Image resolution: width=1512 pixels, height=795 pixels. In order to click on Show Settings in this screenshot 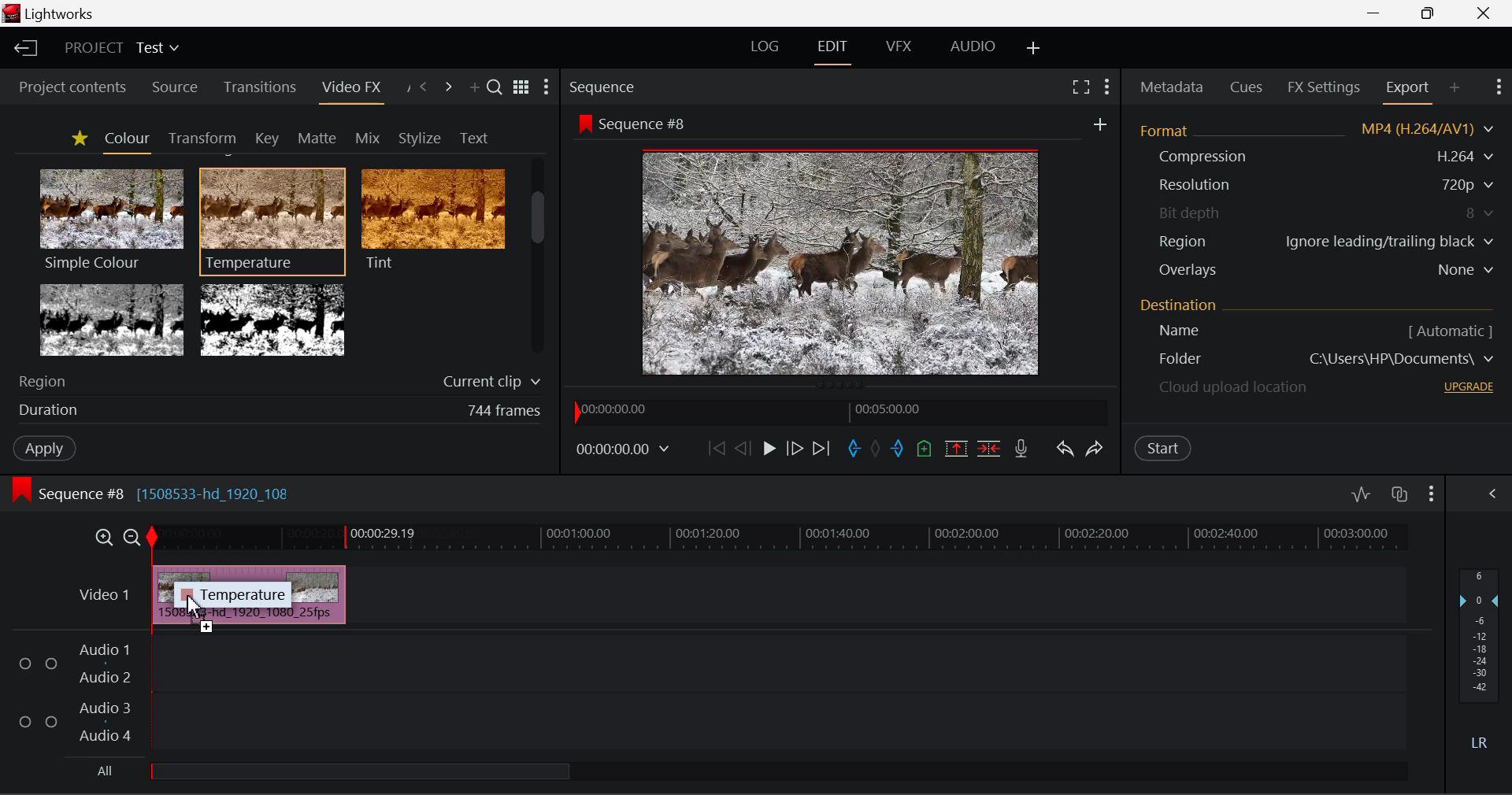, I will do `click(547, 87)`.